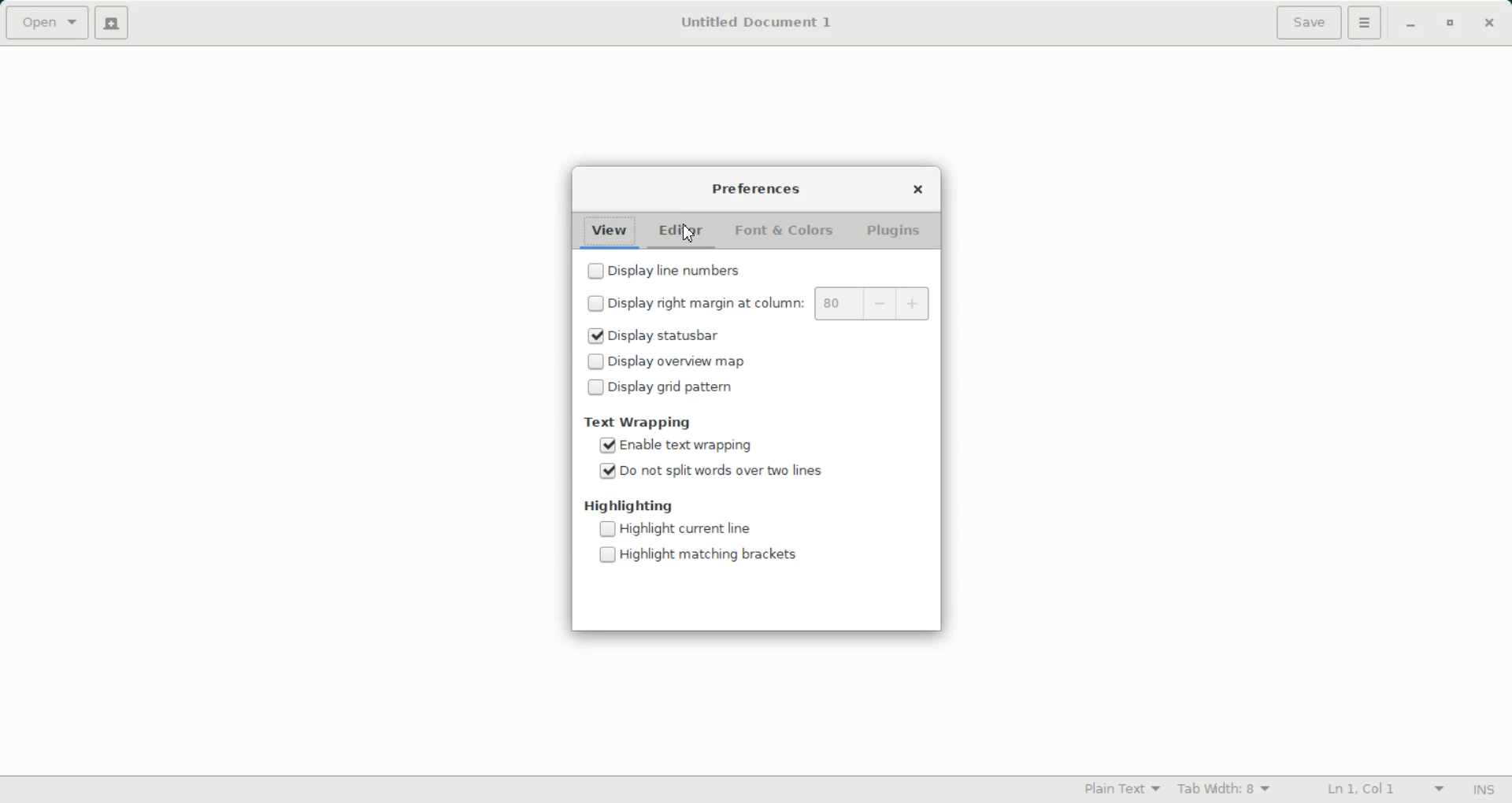 Image resolution: width=1512 pixels, height=803 pixels. I want to click on Save , so click(1309, 23).